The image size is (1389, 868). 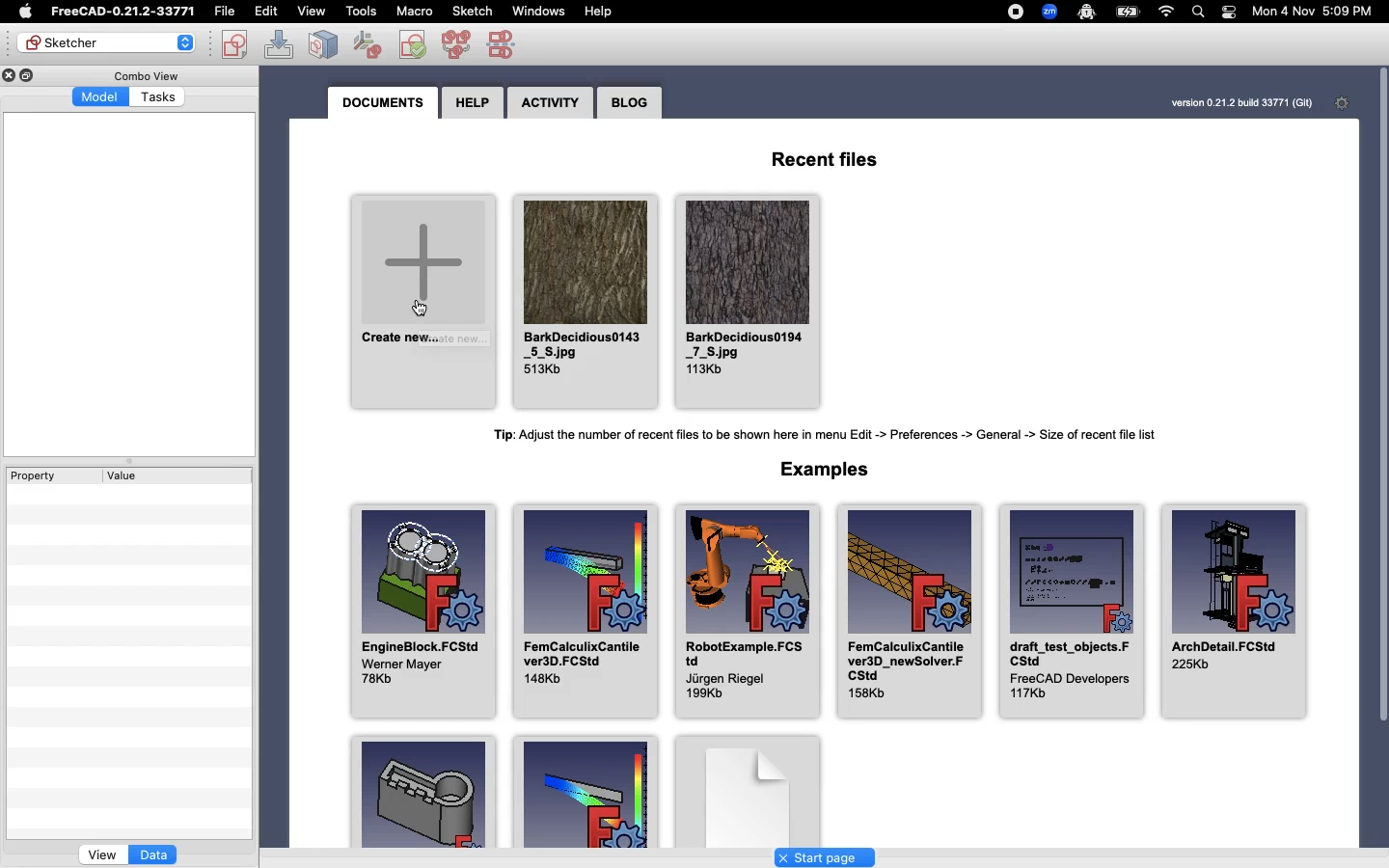 I want to click on Windows, so click(x=537, y=11).